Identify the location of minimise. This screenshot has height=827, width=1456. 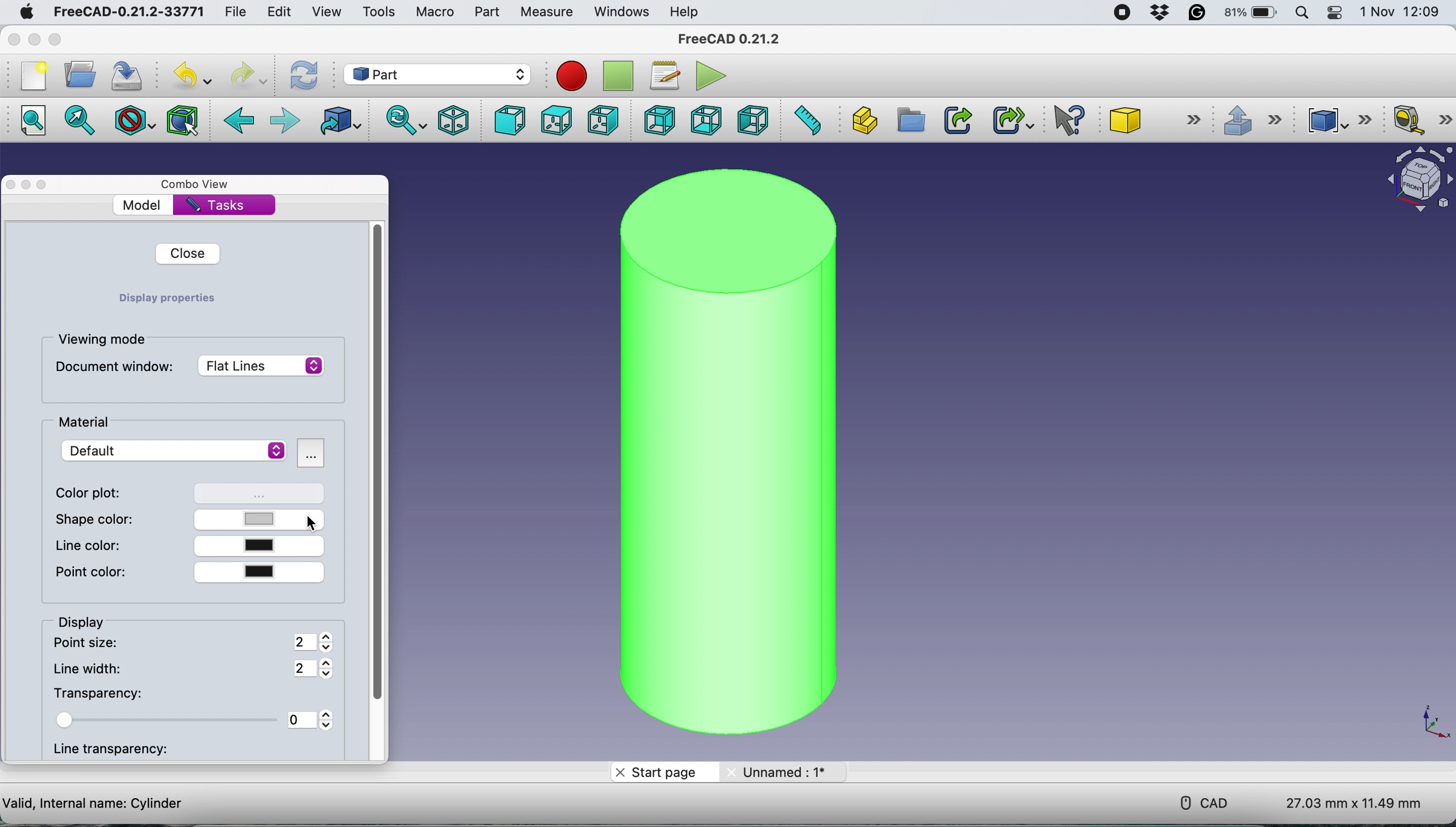
(26, 187).